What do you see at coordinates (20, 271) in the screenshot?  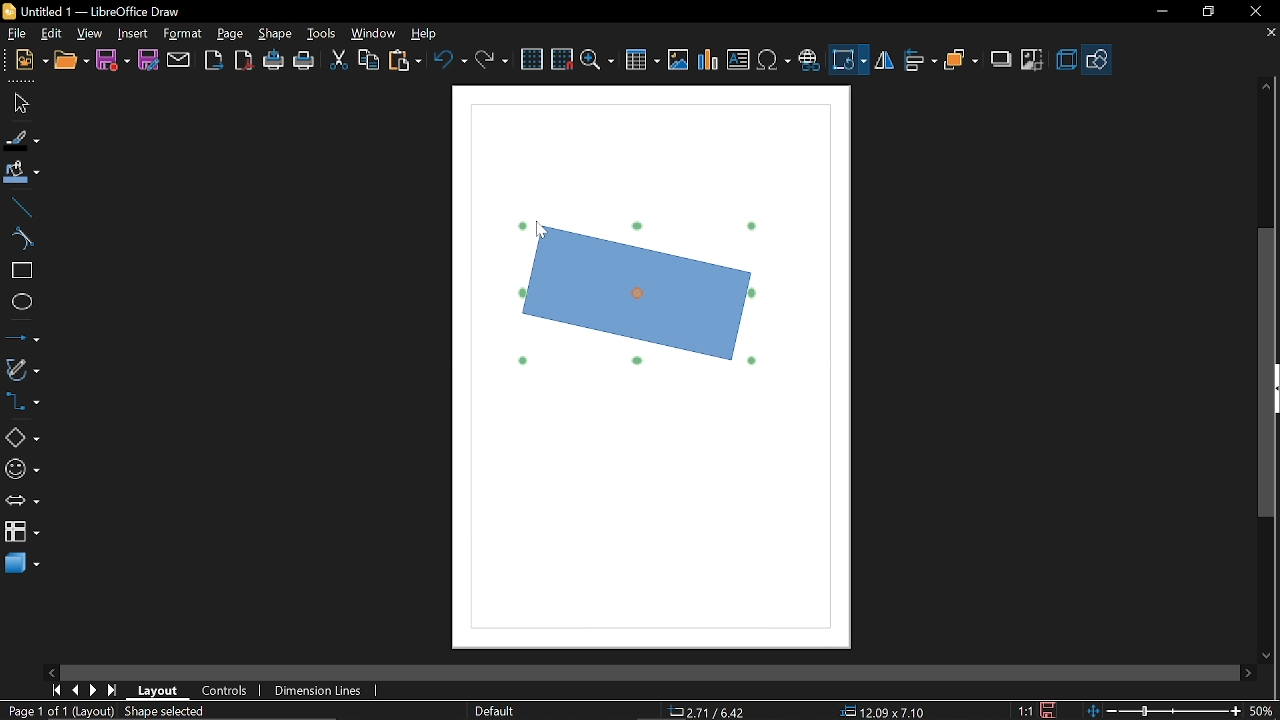 I see `rectangle` at bounding box center [20, 271].